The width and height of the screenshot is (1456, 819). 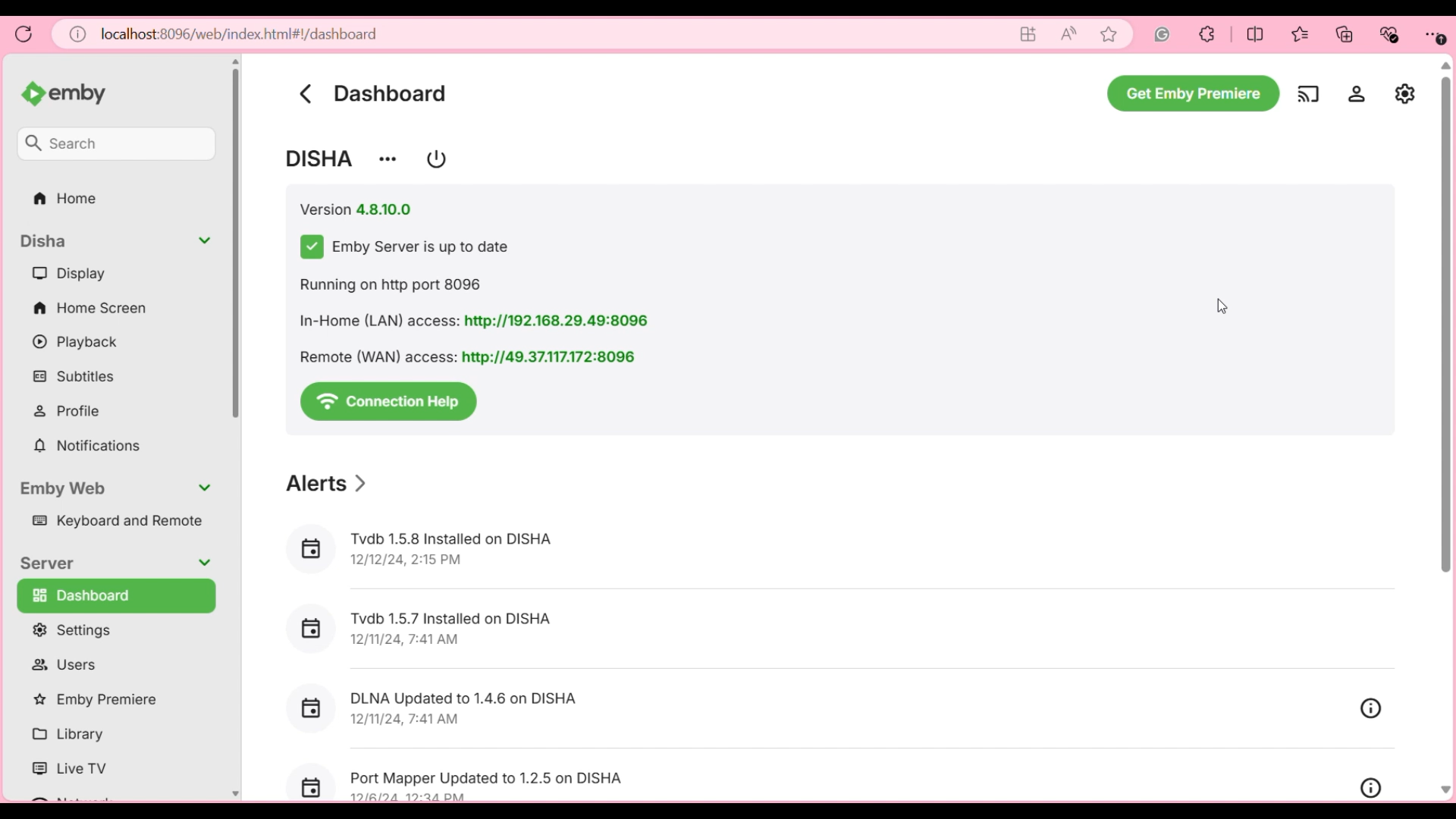 I want to click on Browser collections, so click(x=1345, y=34).